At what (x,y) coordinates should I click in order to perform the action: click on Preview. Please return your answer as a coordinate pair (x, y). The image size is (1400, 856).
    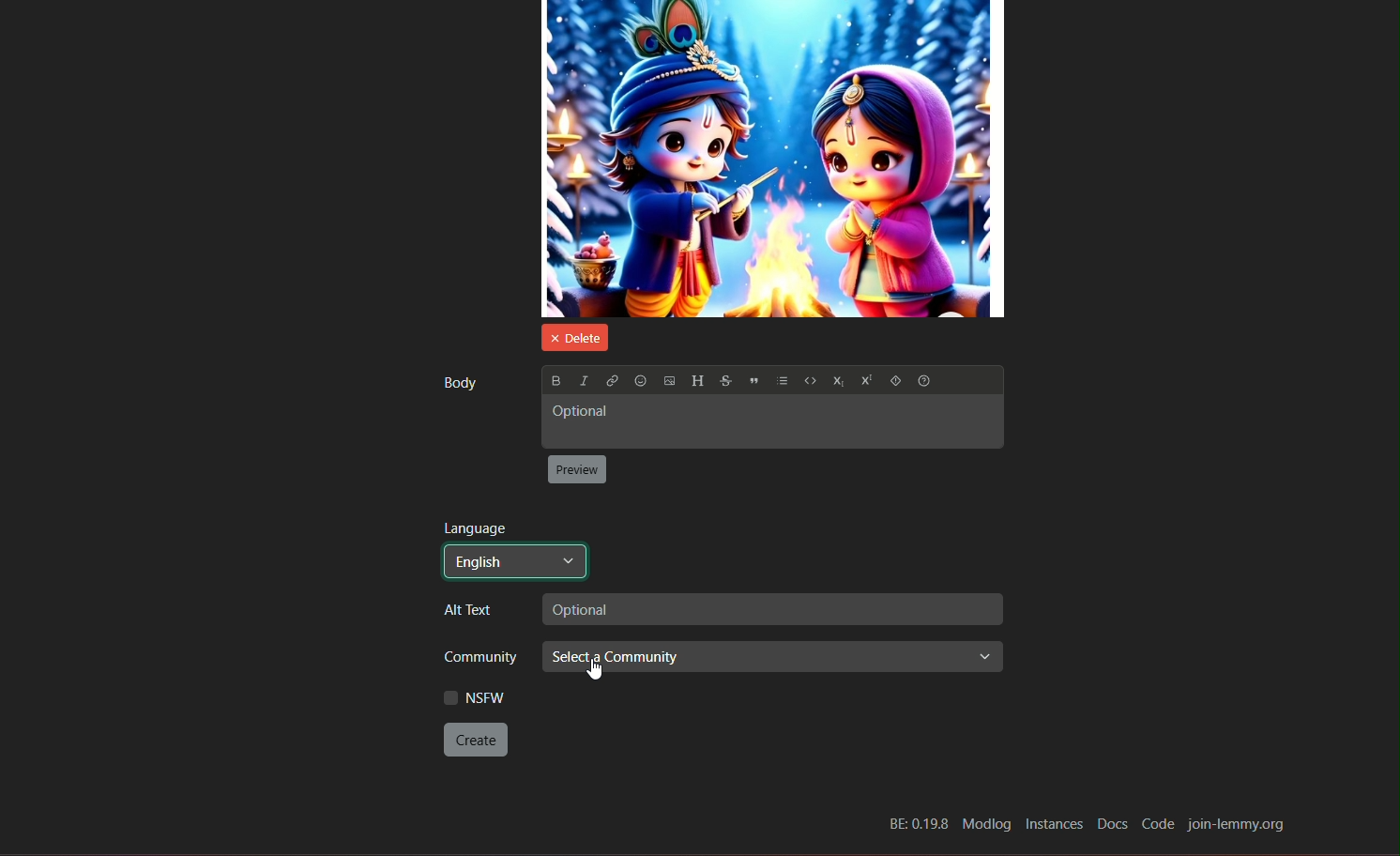
    Looking at the image, I should click on (578, 470).